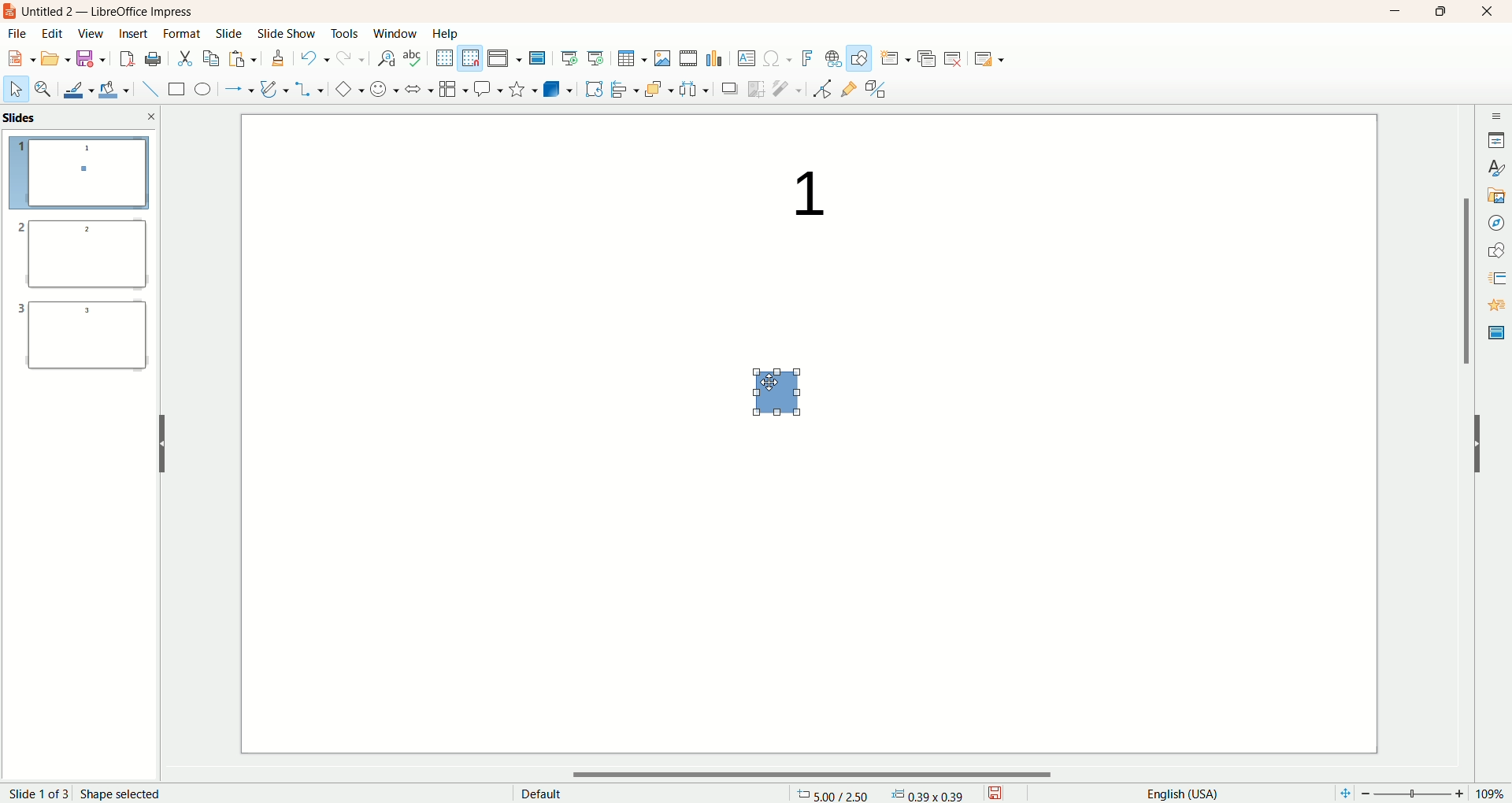 The width and height of the screenshot is (1512, 803). What do you see at coordinates (237, 90) in the screenshot?
I see `line and arrow` at bounding box center [237, 90].